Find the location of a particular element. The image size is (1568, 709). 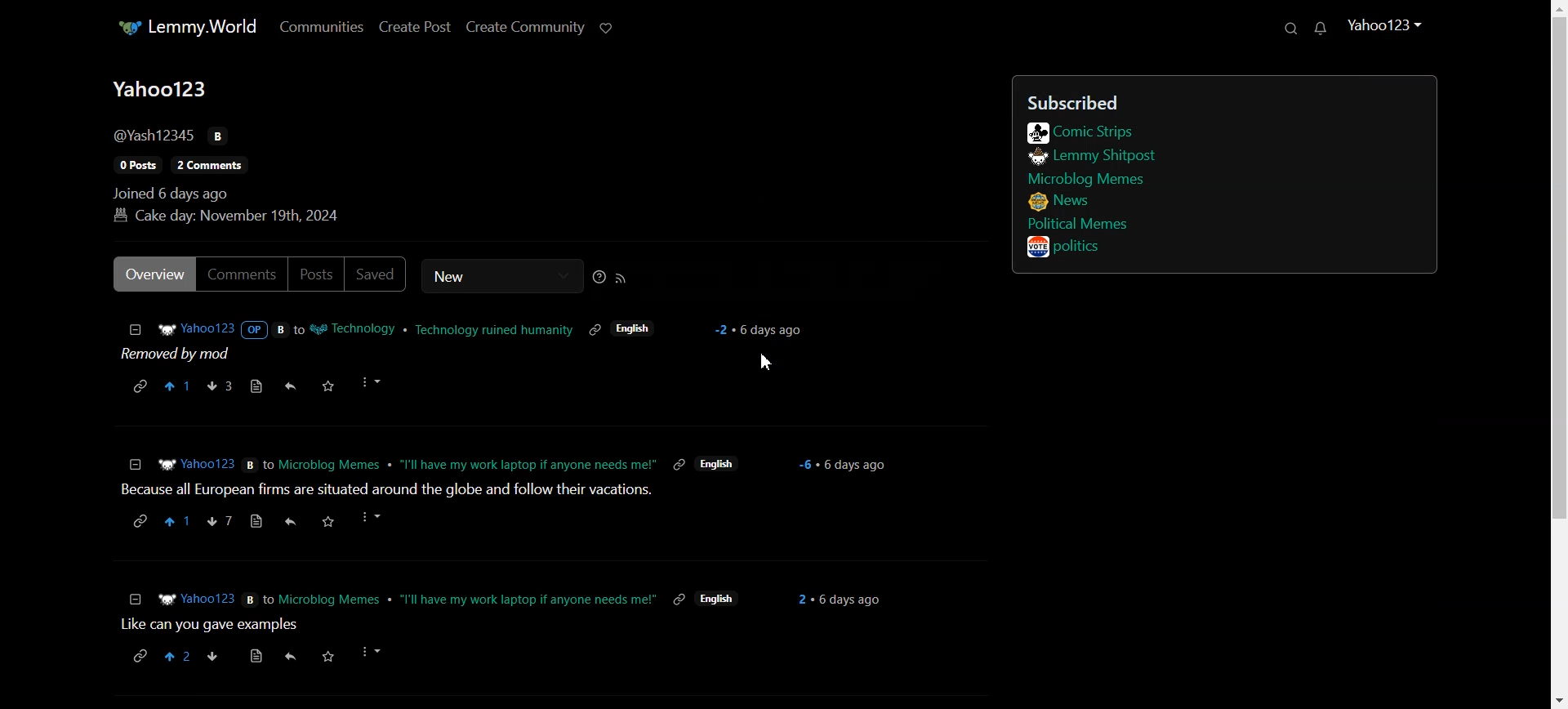

save is located at coordinates (326, 655).